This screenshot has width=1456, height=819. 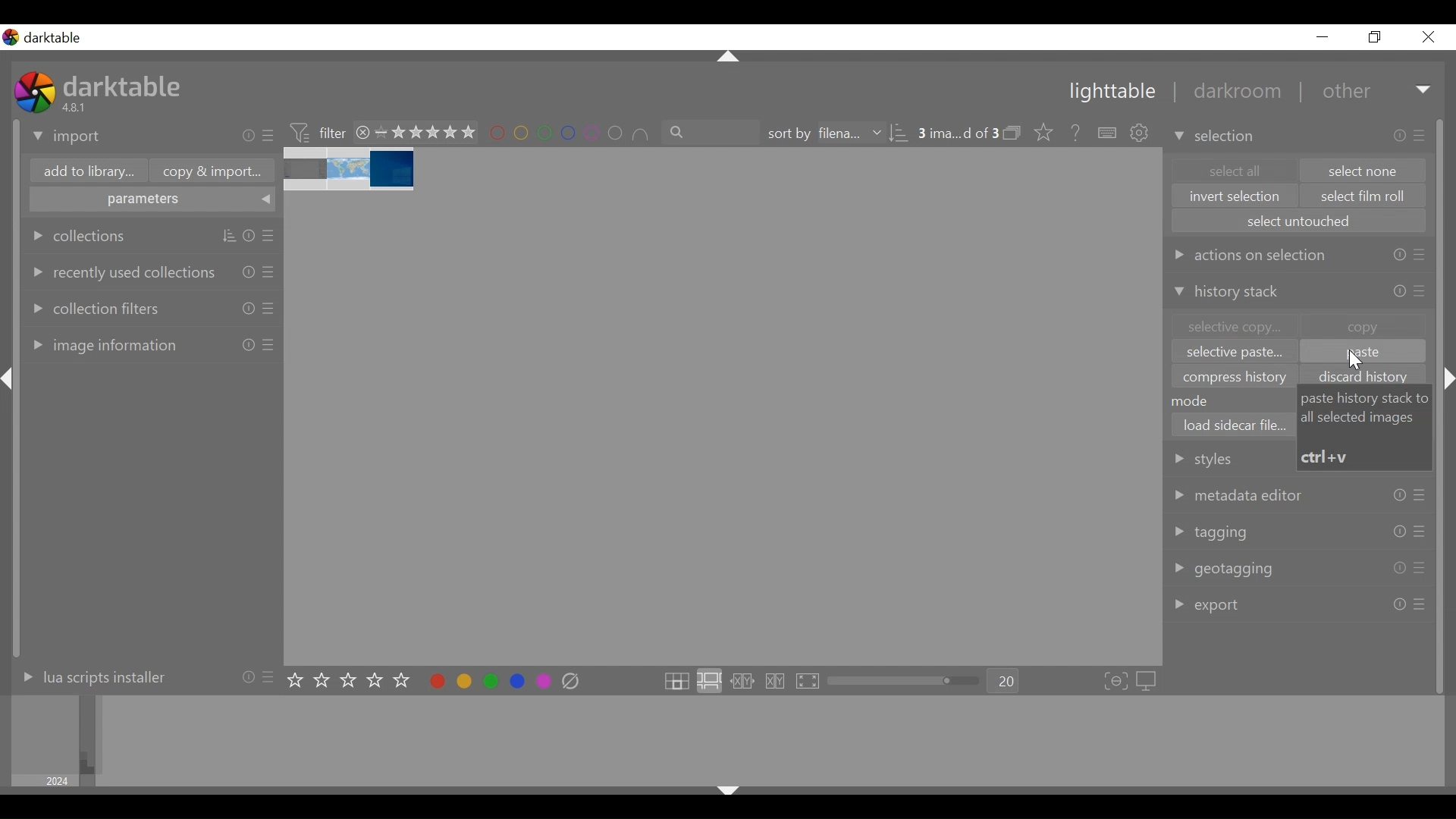 I want to click on darktable, so click(x=125, y=85).